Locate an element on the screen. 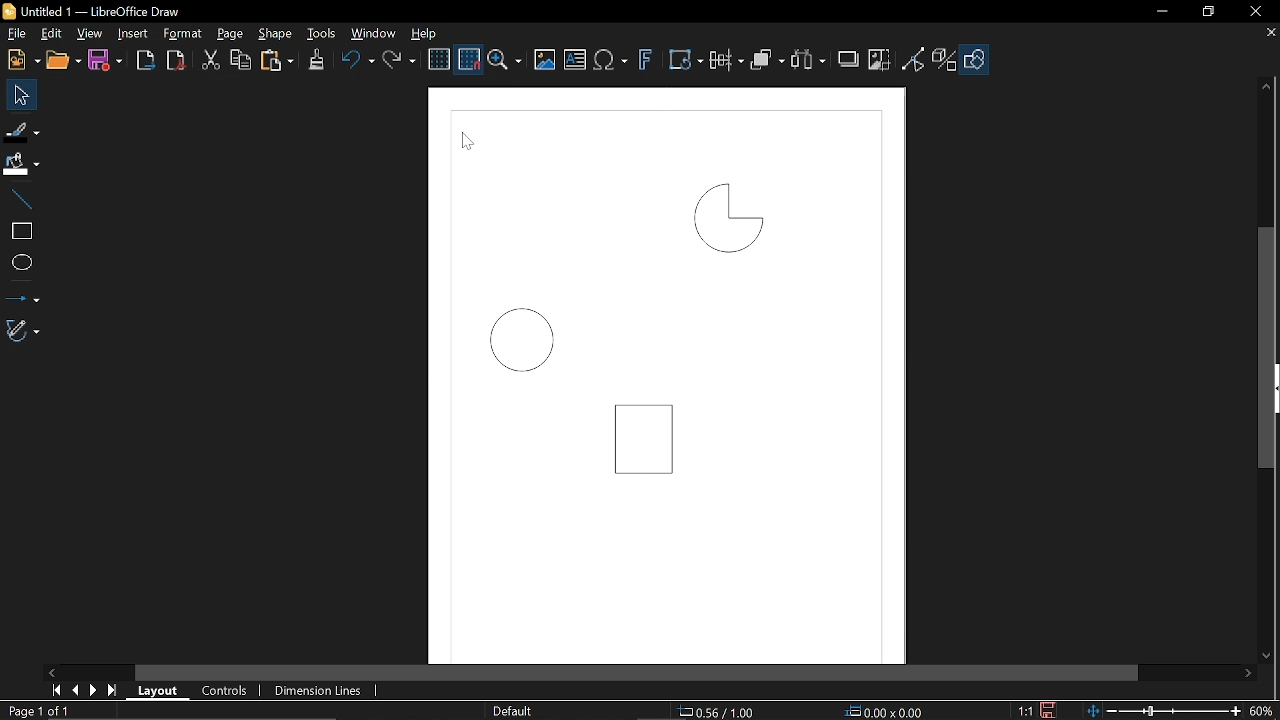  REstore down is located at coordinates (1211, 15).